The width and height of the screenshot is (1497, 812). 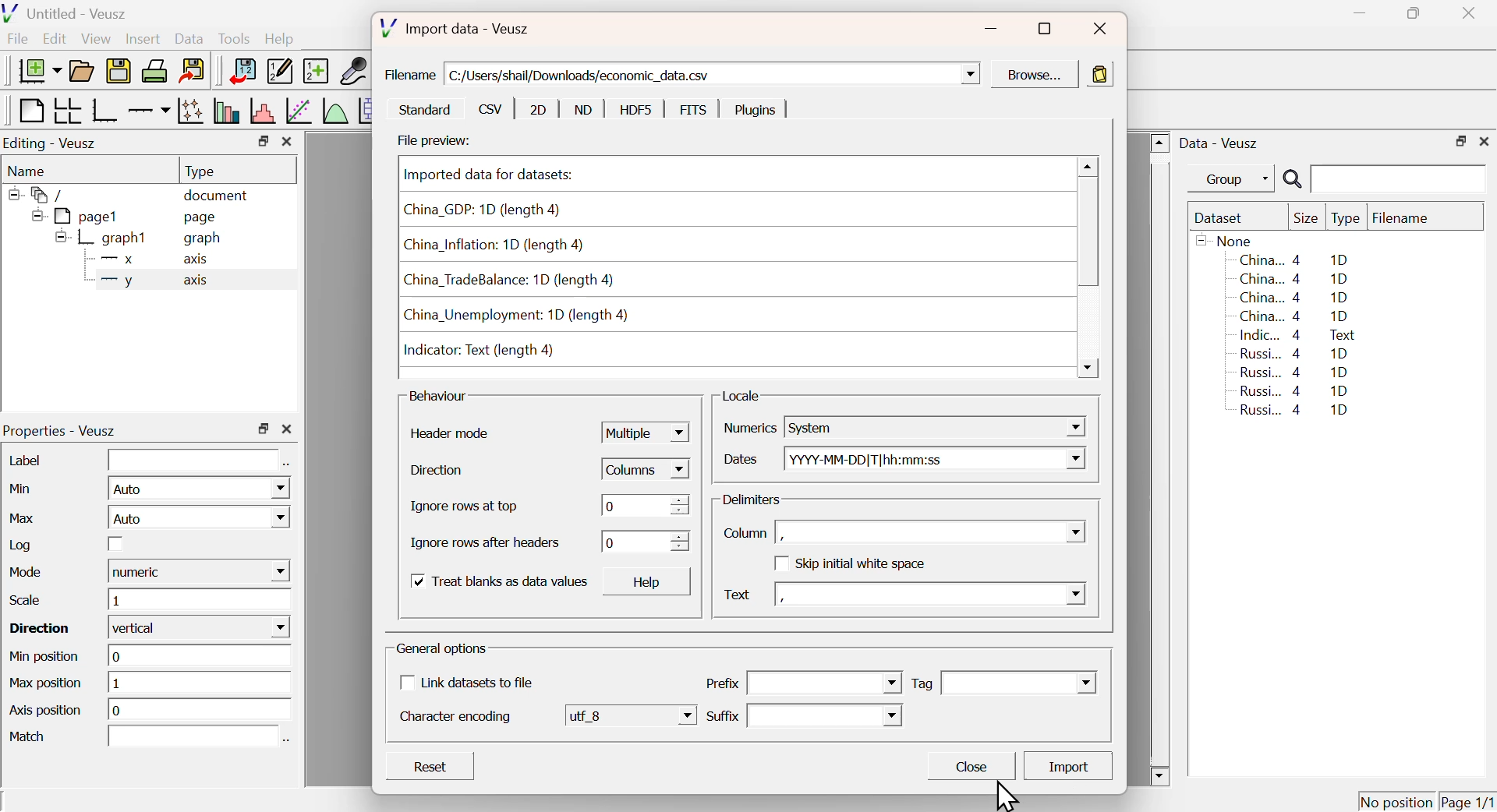 I want to click on Dropdown, so click(x=1018, y=684).